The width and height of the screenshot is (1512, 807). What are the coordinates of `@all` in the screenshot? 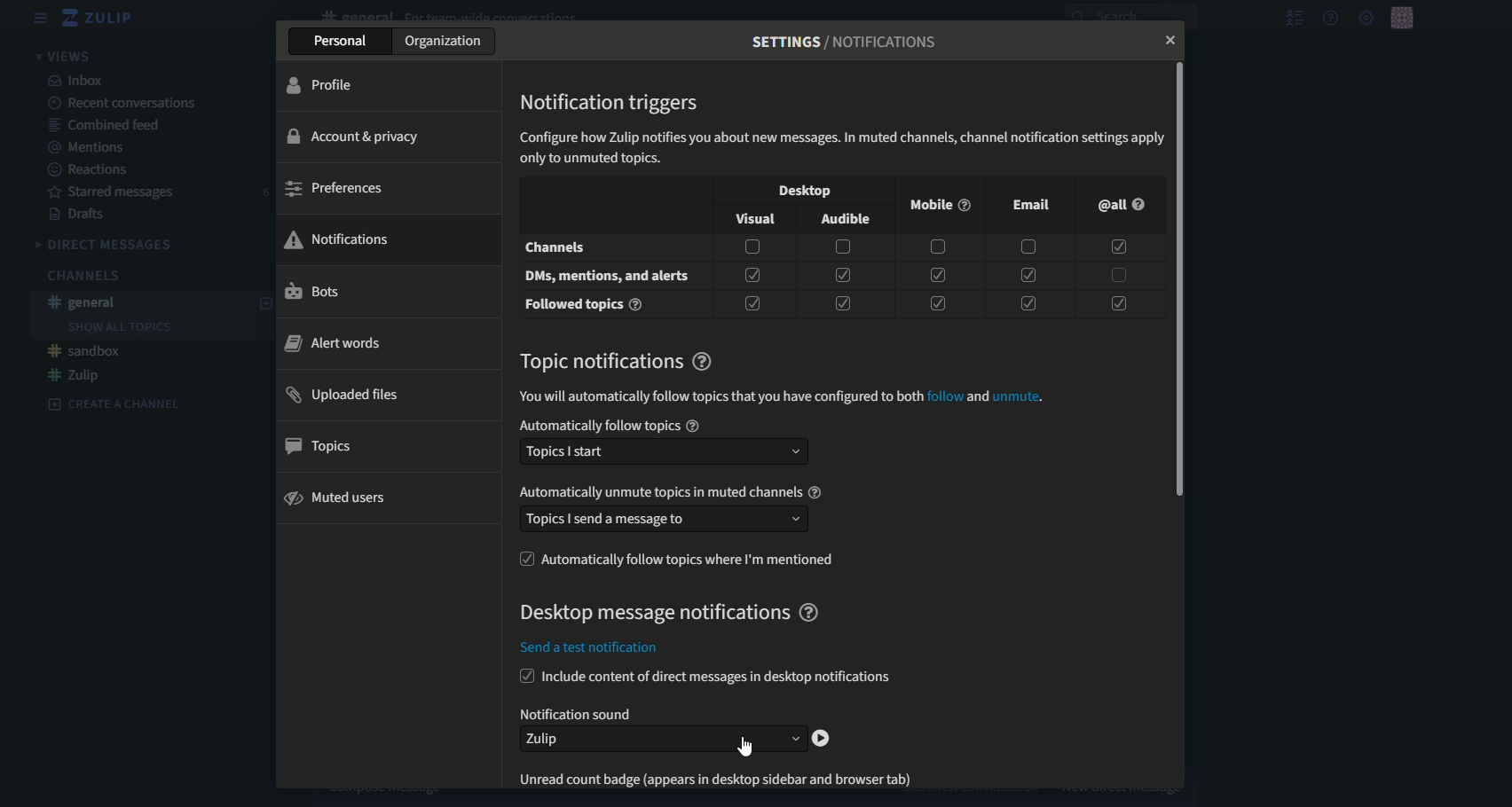 It's located at (1119, 205).